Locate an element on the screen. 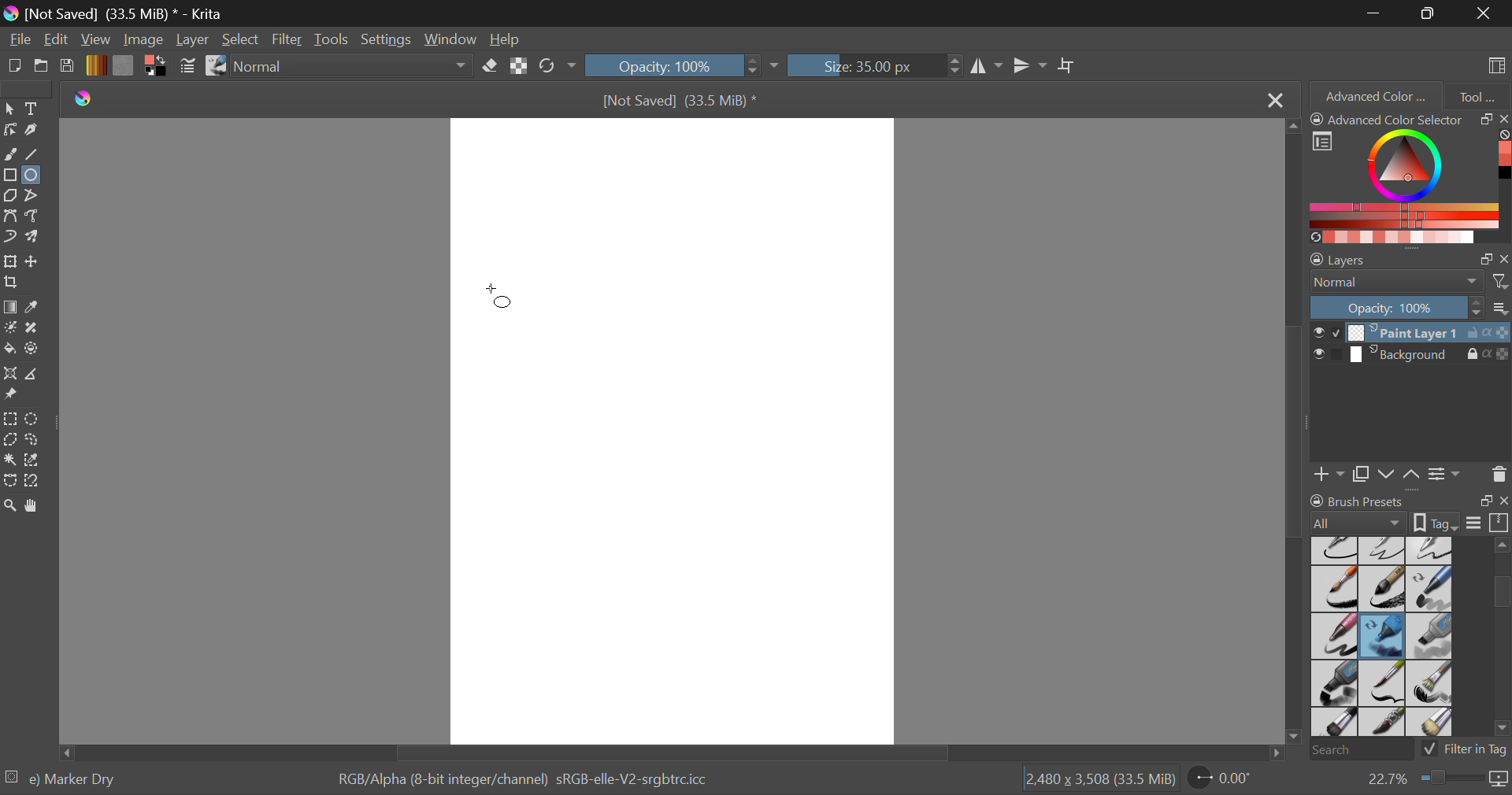 This screenshot has width=1512, height=795. Crop a layer is located at coordinates (11, 284).